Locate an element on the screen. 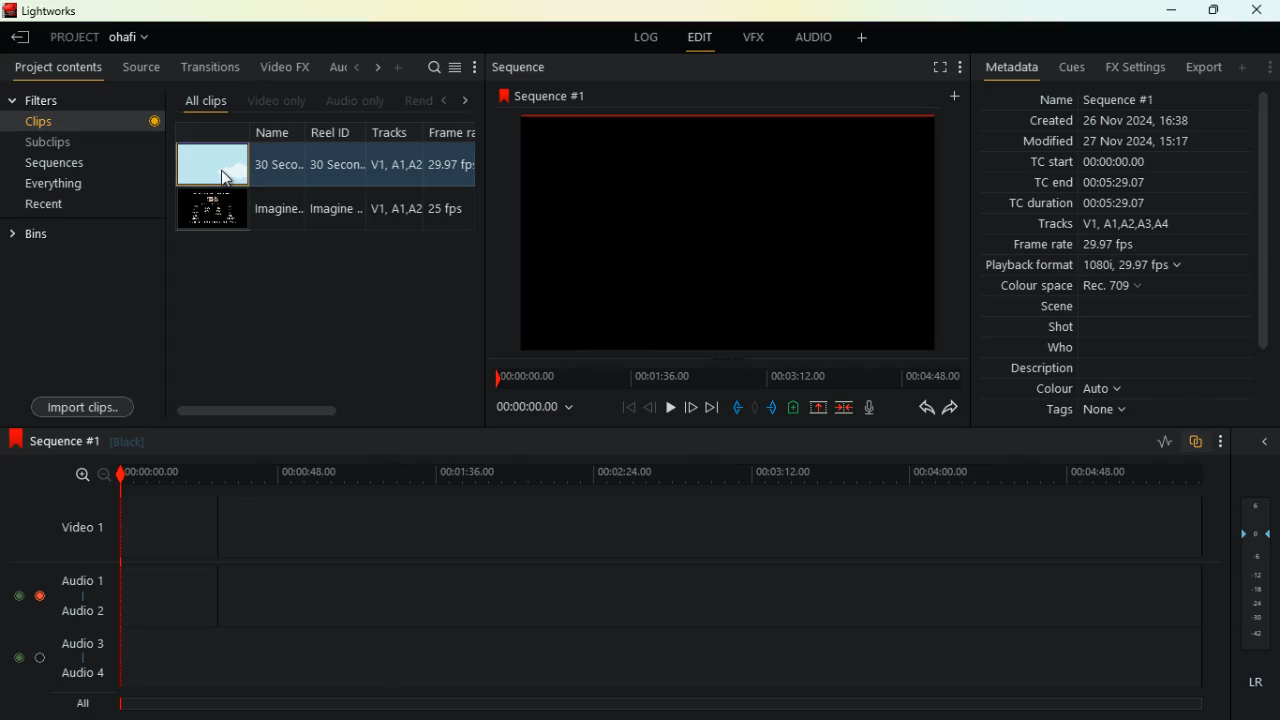 This screenshot has width=1280, height=720. more is located at coordinates (1221, 441).